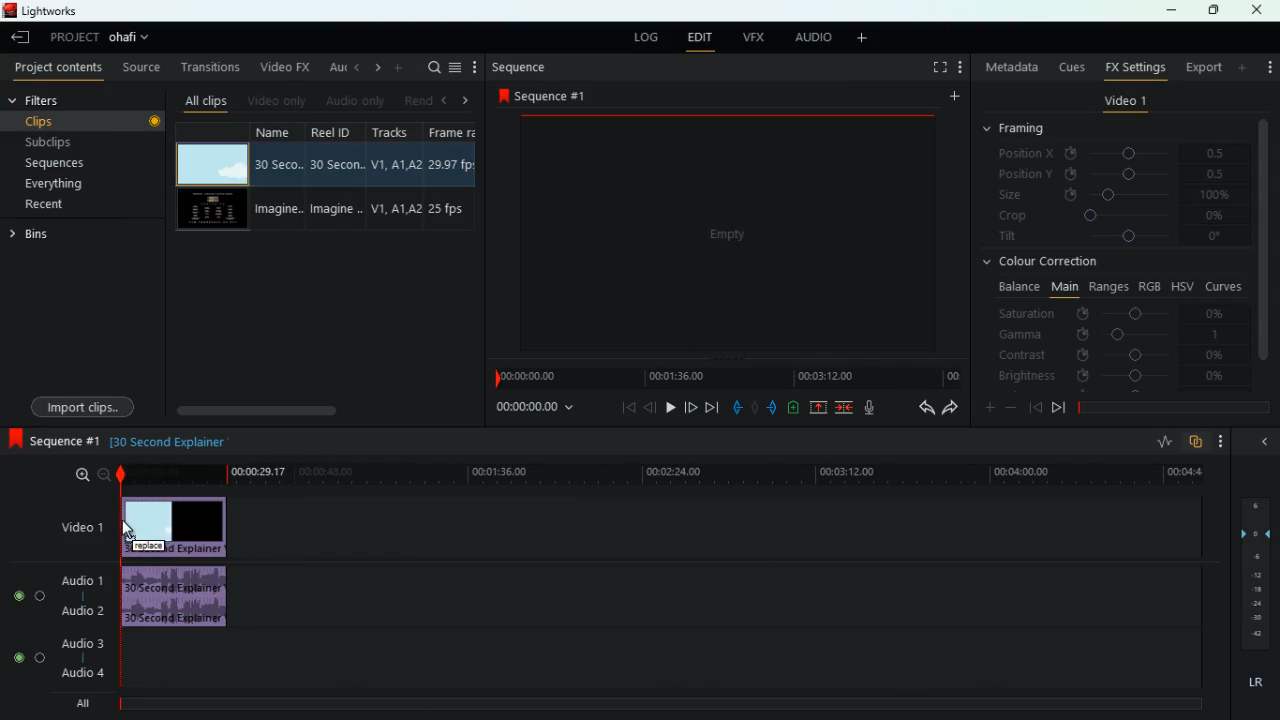 The image size is (1280, 720). I want to click on time frame, so click(1174, 408).